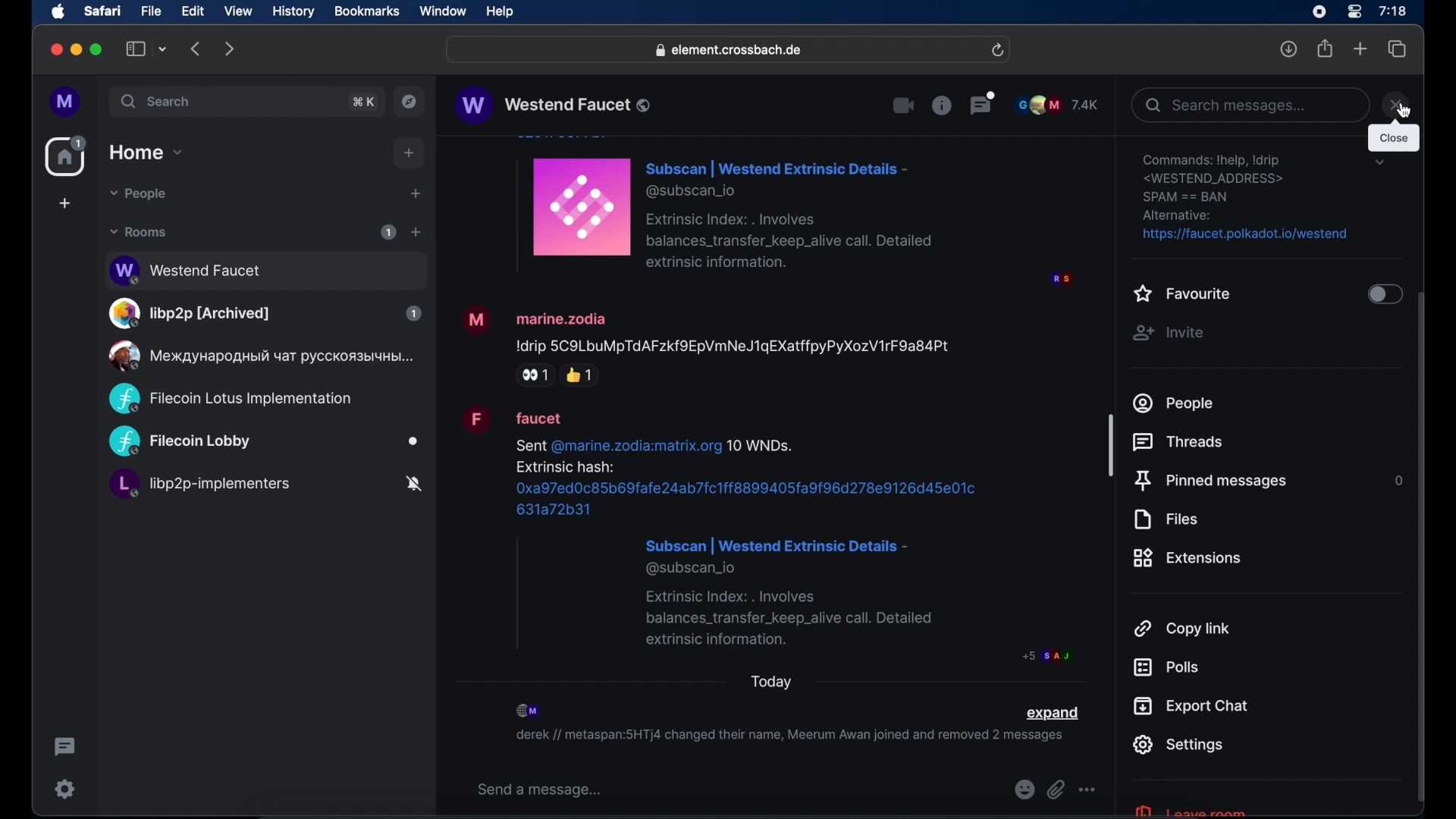 Image resolution: width=1456 pixels, height=819 pixels. I want to click on public room, so click(265, 486).